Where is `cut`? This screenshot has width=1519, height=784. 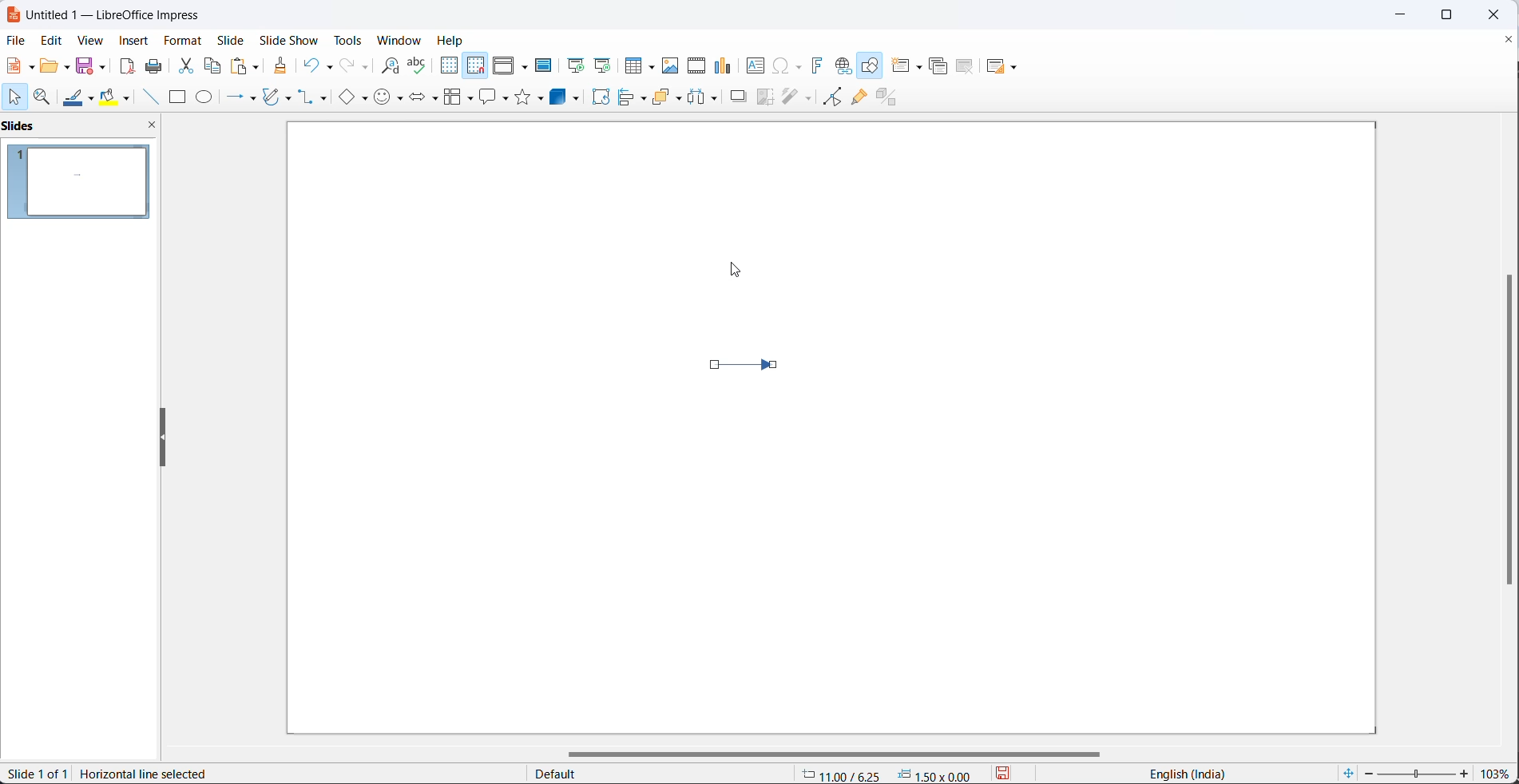
cut is located at coordinates (185, 65).